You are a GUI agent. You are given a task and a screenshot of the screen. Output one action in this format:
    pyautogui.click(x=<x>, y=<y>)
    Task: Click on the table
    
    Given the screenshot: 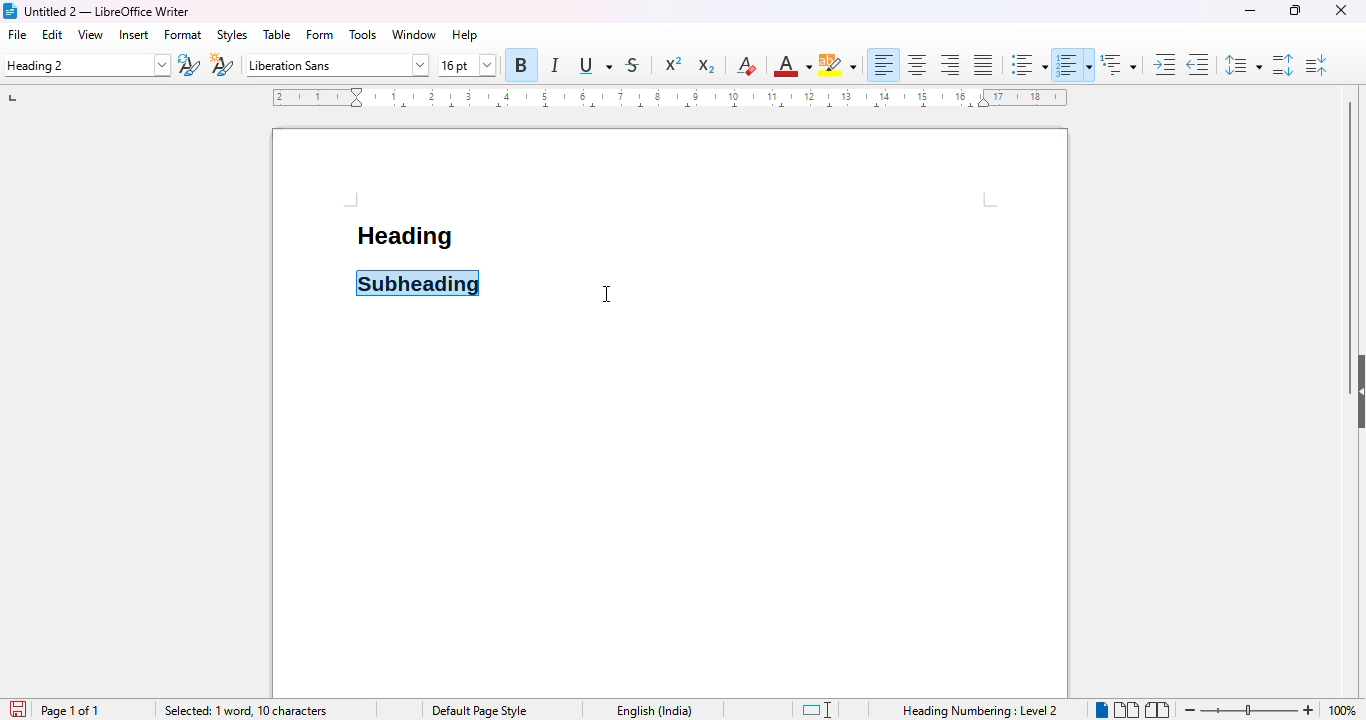 What is the action you would take?
    pyautogui.click(x=277, y=34)
    